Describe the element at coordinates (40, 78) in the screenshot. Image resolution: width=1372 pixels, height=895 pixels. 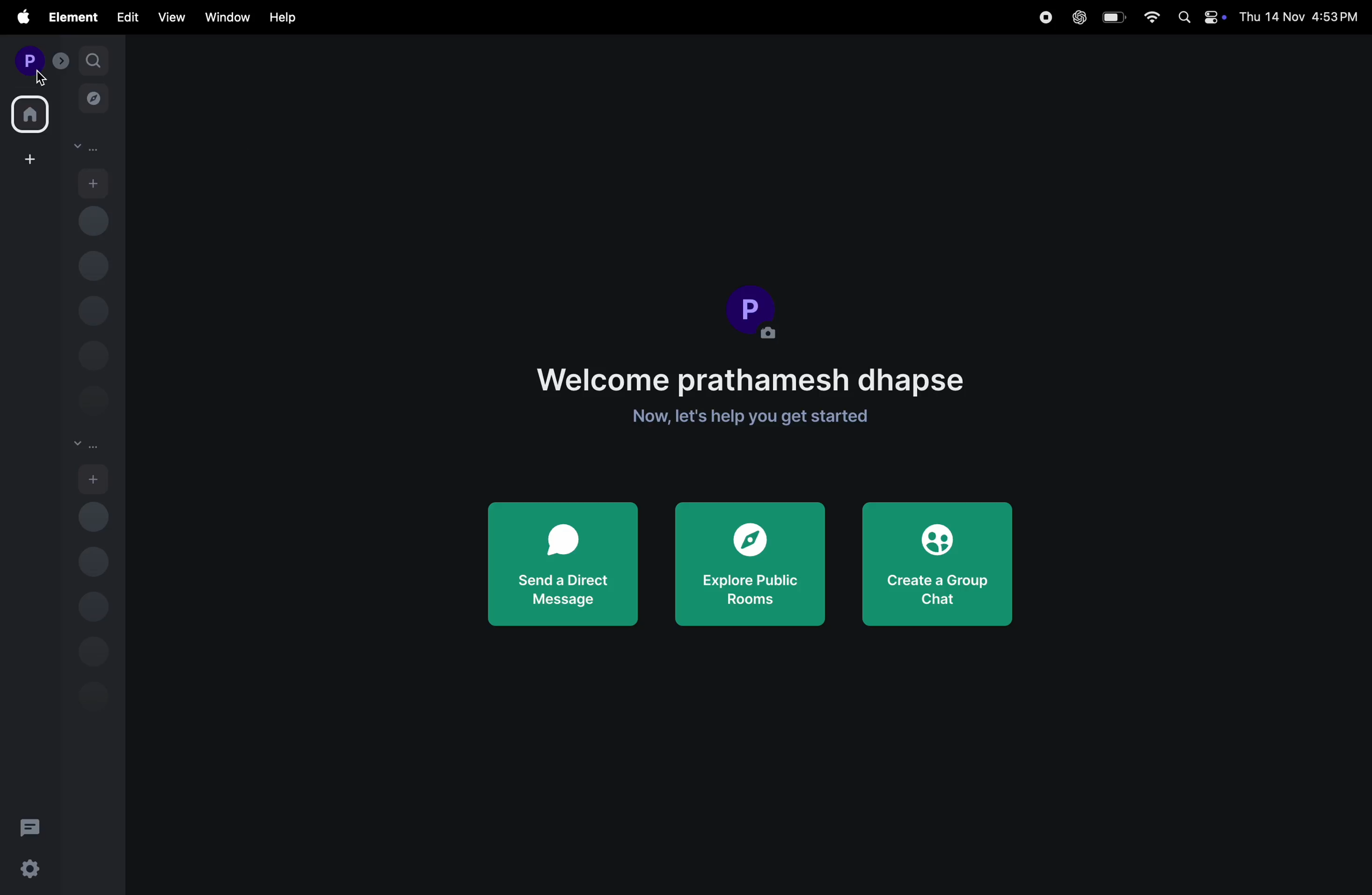
I see `cursor` at that location.